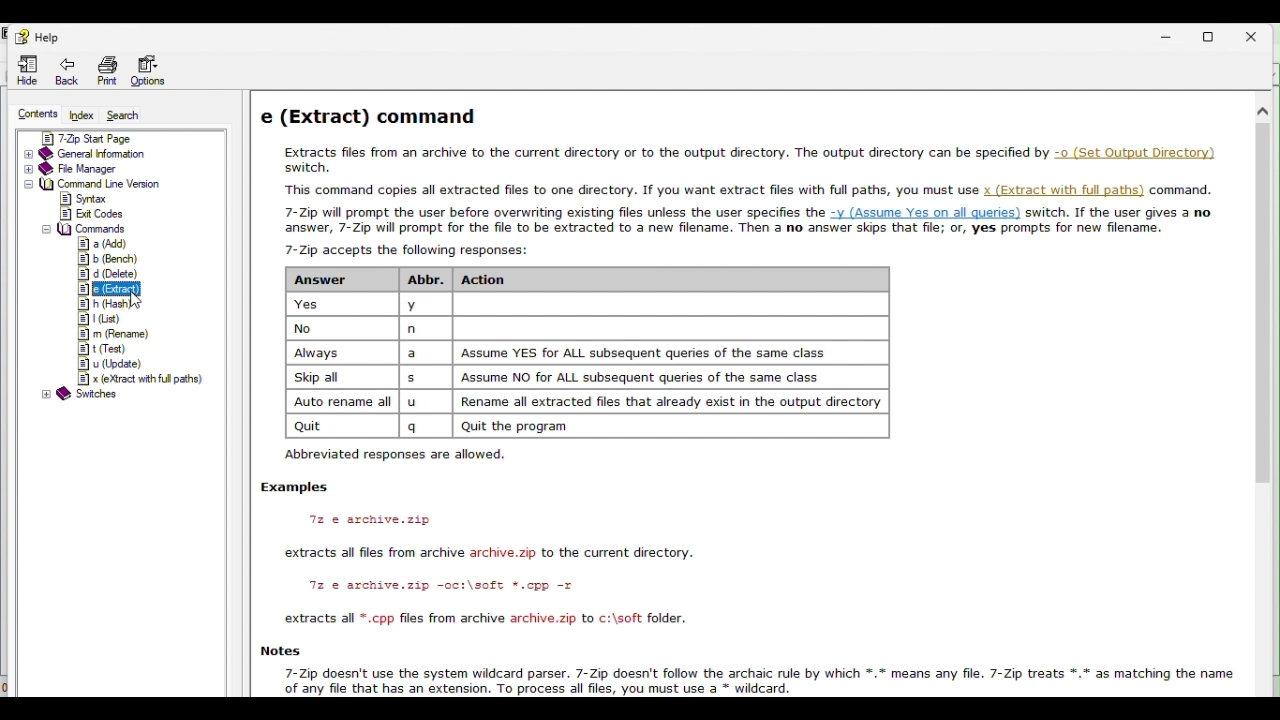 This screenshot has height=720, width=1280. I want to click on Examples, so click(487, 556).